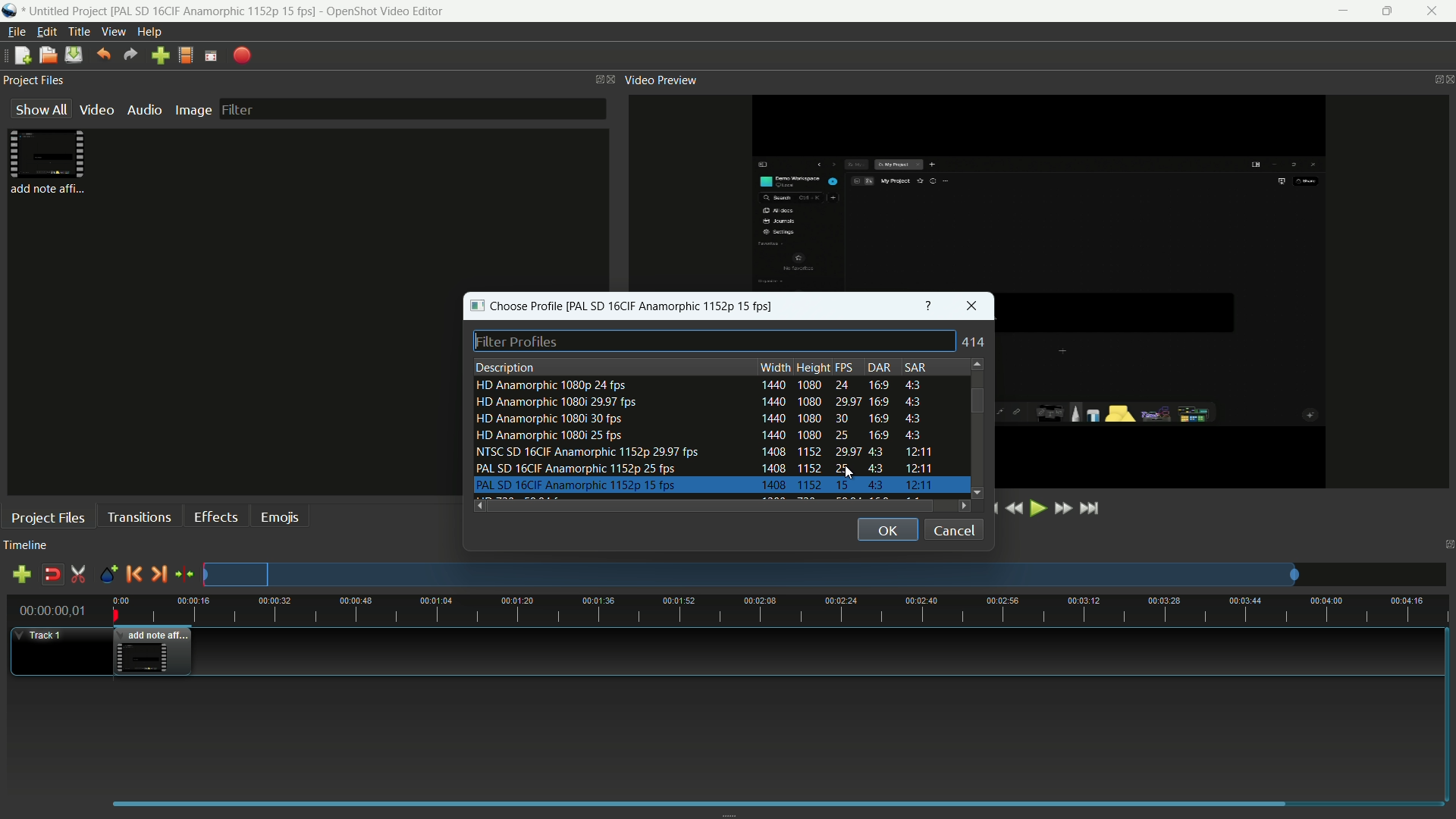  What do you see at coordinates (699, 385) in the screenshot?
I see `profile-1` at bounding box center [699, 385].